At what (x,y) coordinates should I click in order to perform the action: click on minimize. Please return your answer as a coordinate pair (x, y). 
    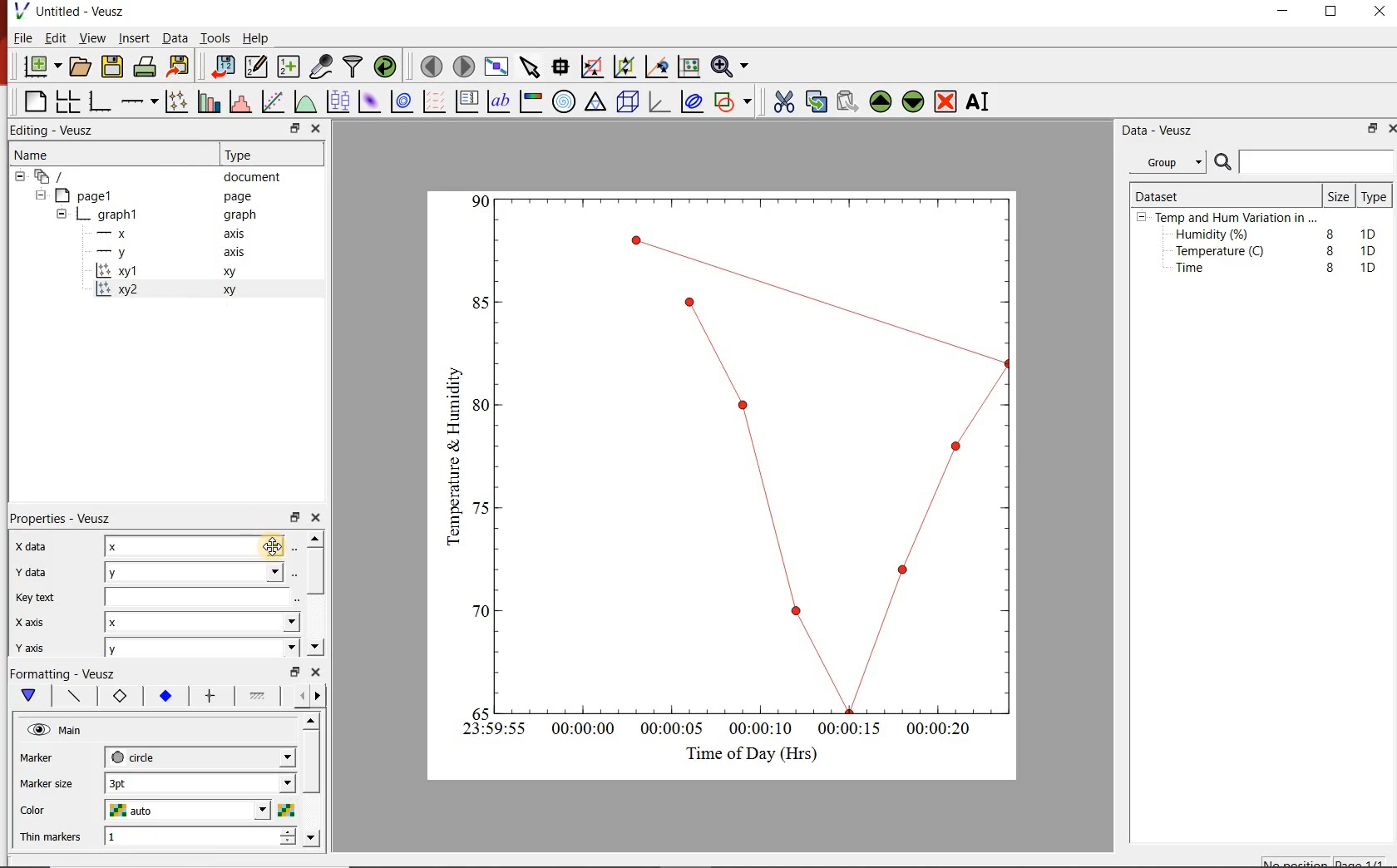
    Looking at the image, I should click on (1289, 12).